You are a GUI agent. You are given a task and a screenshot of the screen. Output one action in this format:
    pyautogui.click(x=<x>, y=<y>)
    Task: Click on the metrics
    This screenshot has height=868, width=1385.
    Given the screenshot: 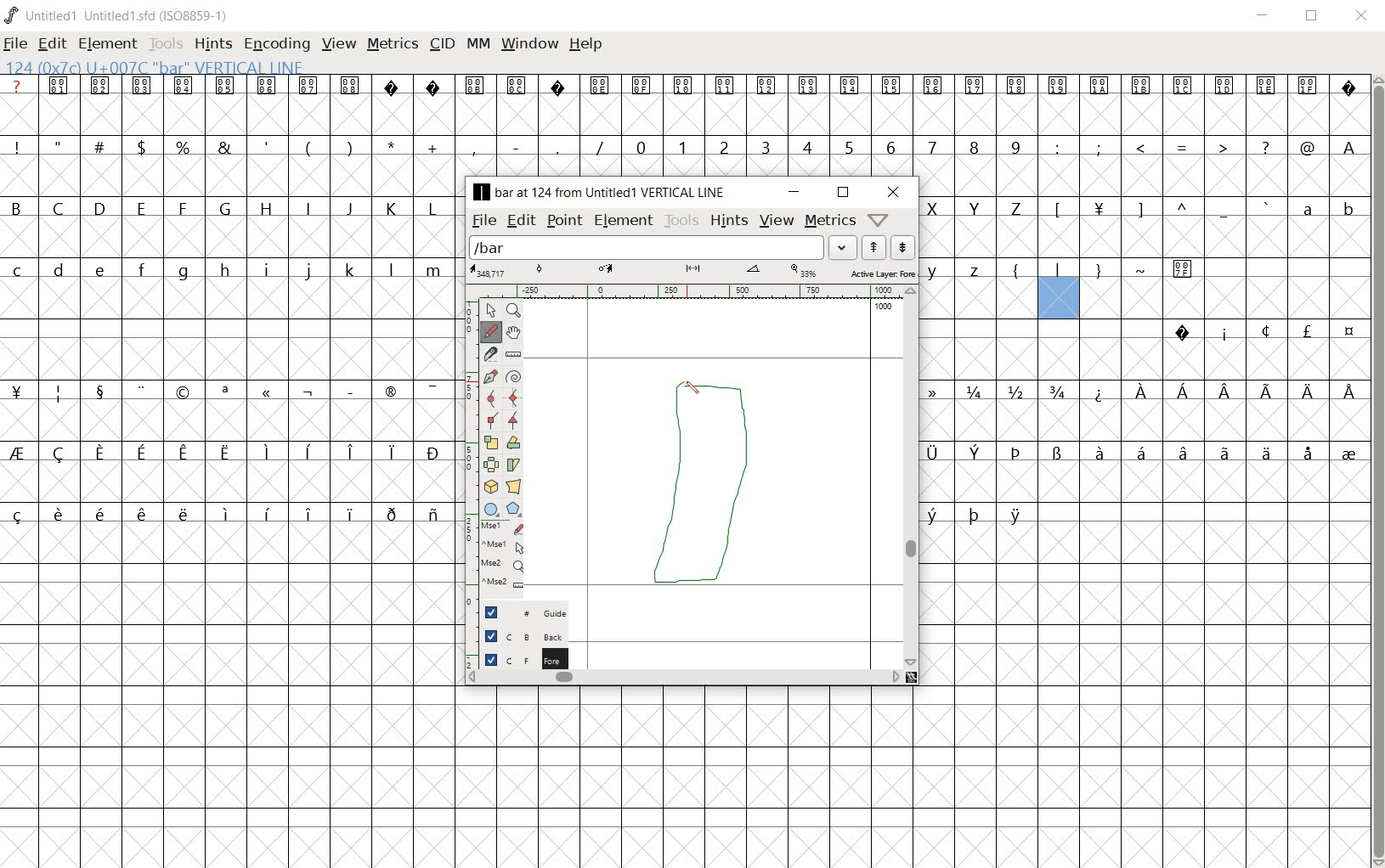 What is the action you would take?
    pyautogui.click(x=830, y=219)
    